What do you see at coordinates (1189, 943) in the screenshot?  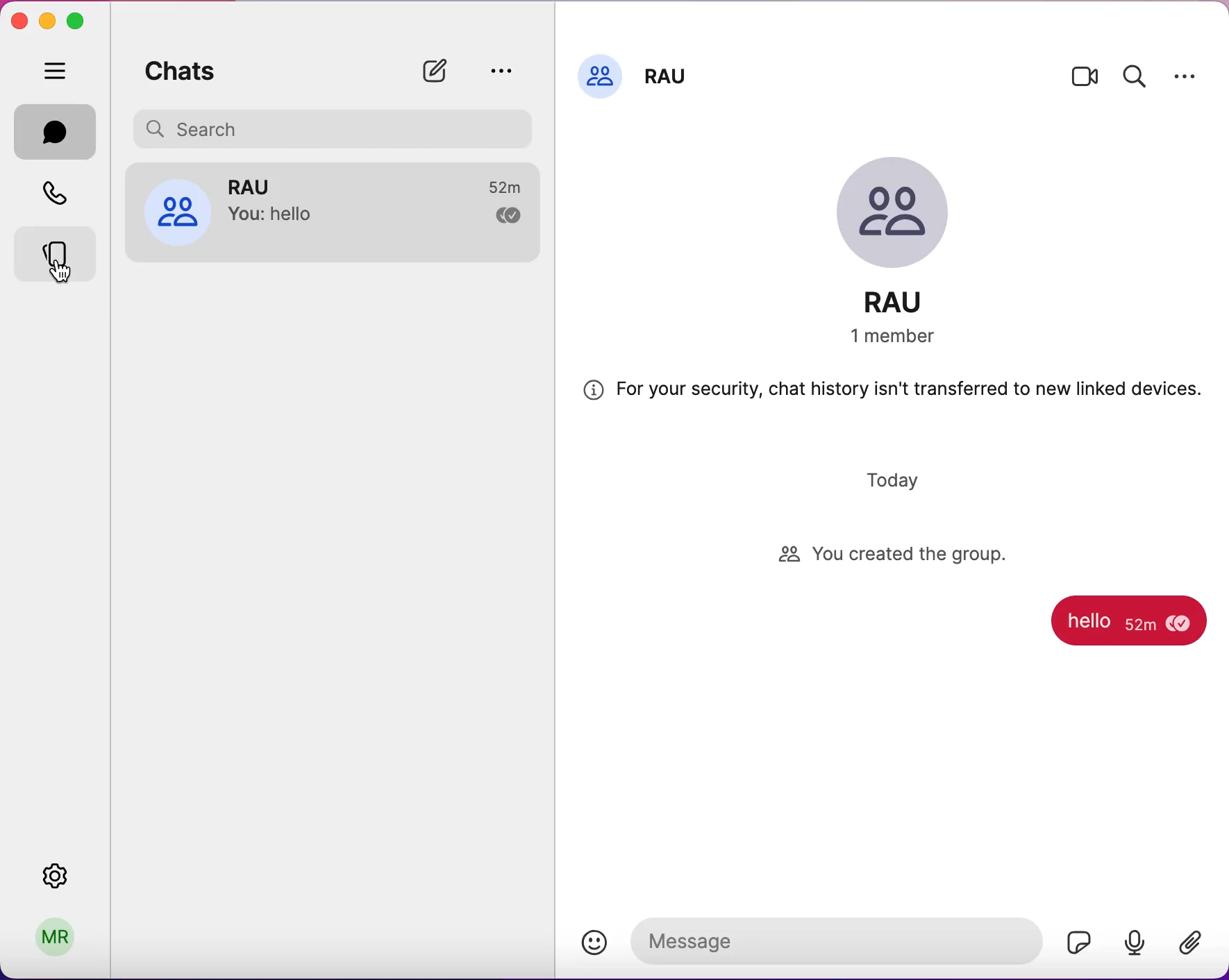 I see `attach` at bounding box center [1189, 943].